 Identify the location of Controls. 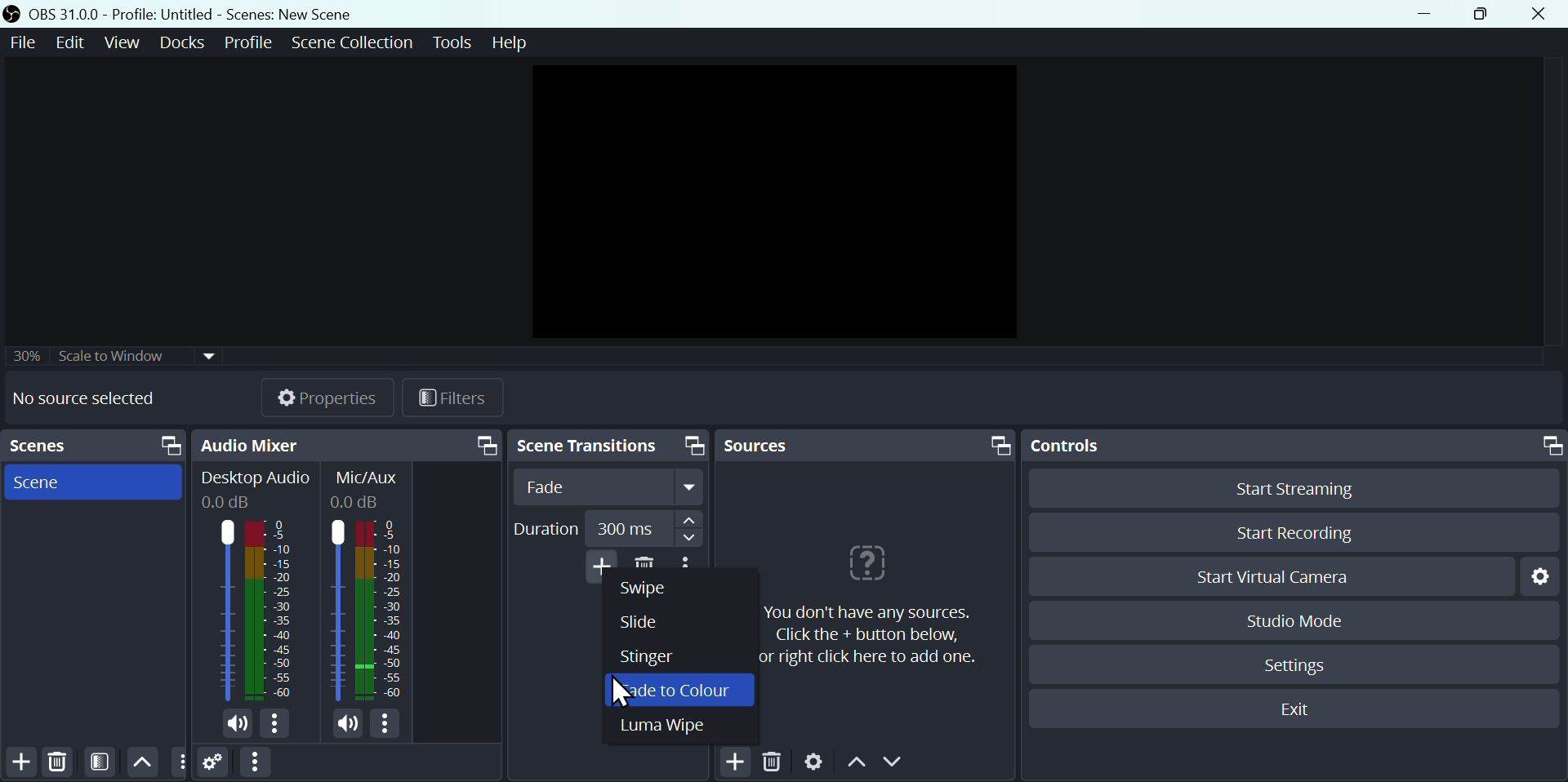
(1293, 446).